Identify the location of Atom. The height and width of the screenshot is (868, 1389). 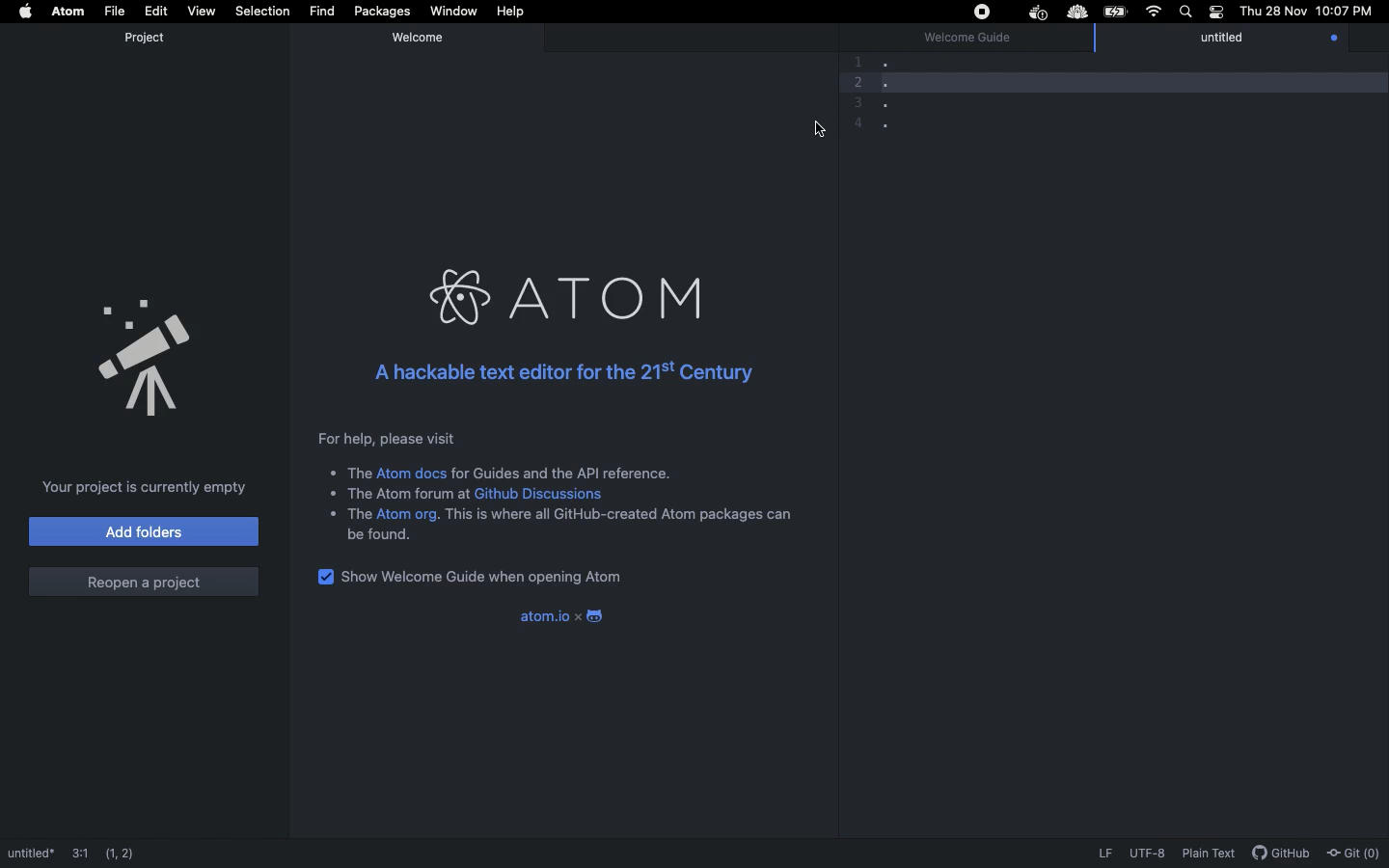
(68, 12).